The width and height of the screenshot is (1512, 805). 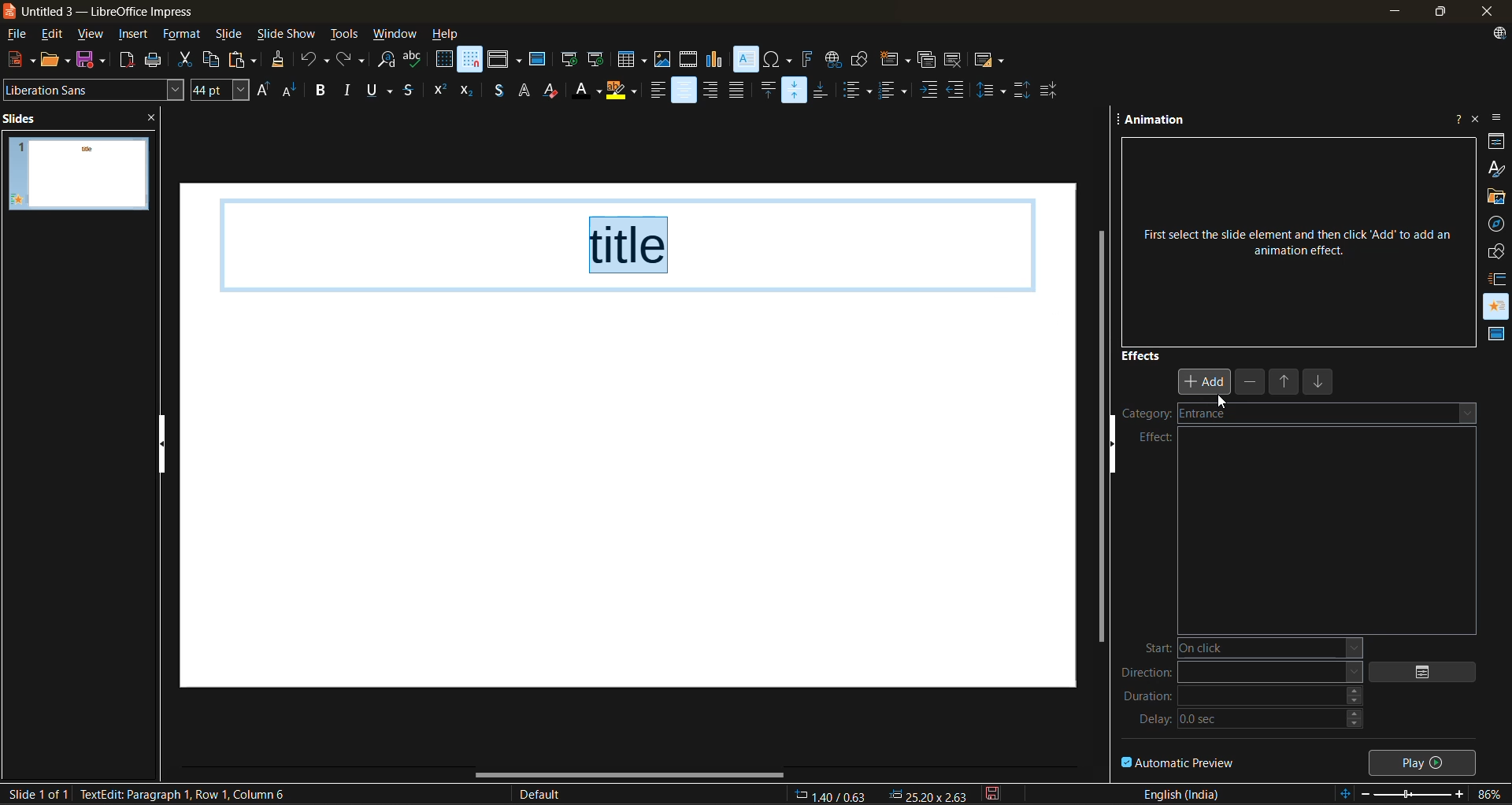 What do you see at coordinates (1499, 278) in the screenshot?
I see `slide transition` at bounding box center [1499, 278].